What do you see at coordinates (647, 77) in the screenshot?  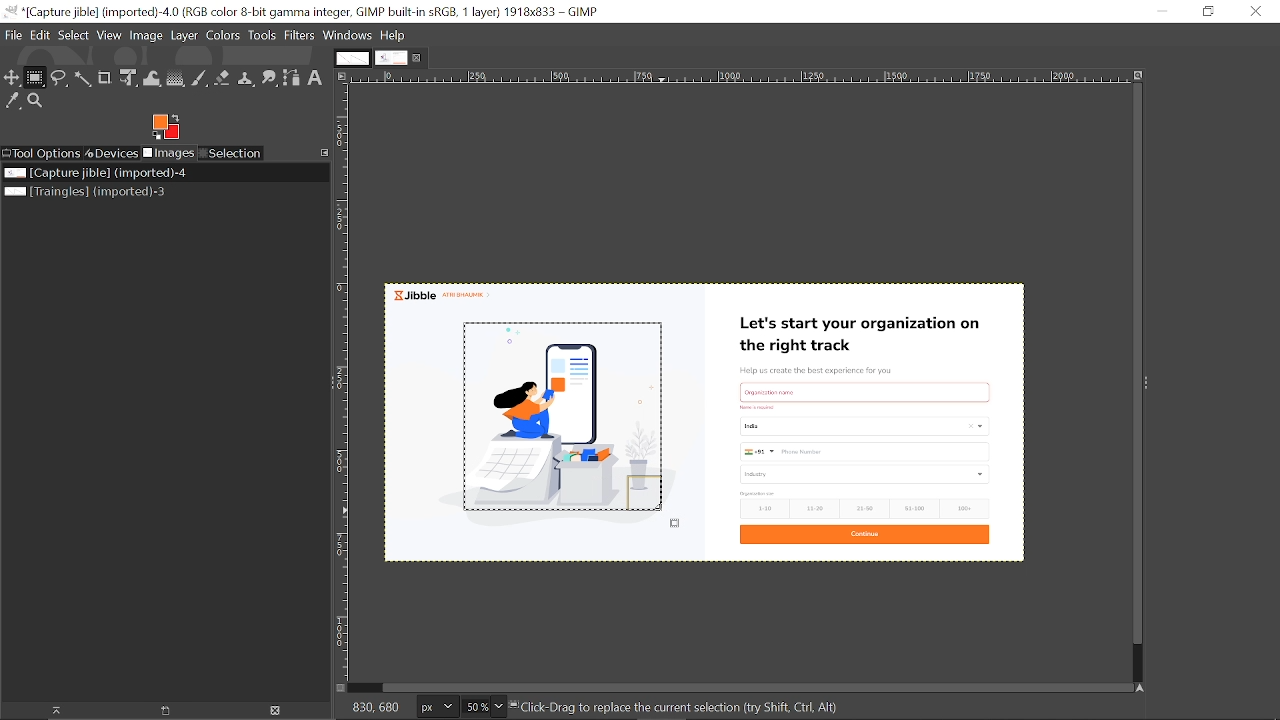 I see `Horizontal label` at bounding box center [647, 77].